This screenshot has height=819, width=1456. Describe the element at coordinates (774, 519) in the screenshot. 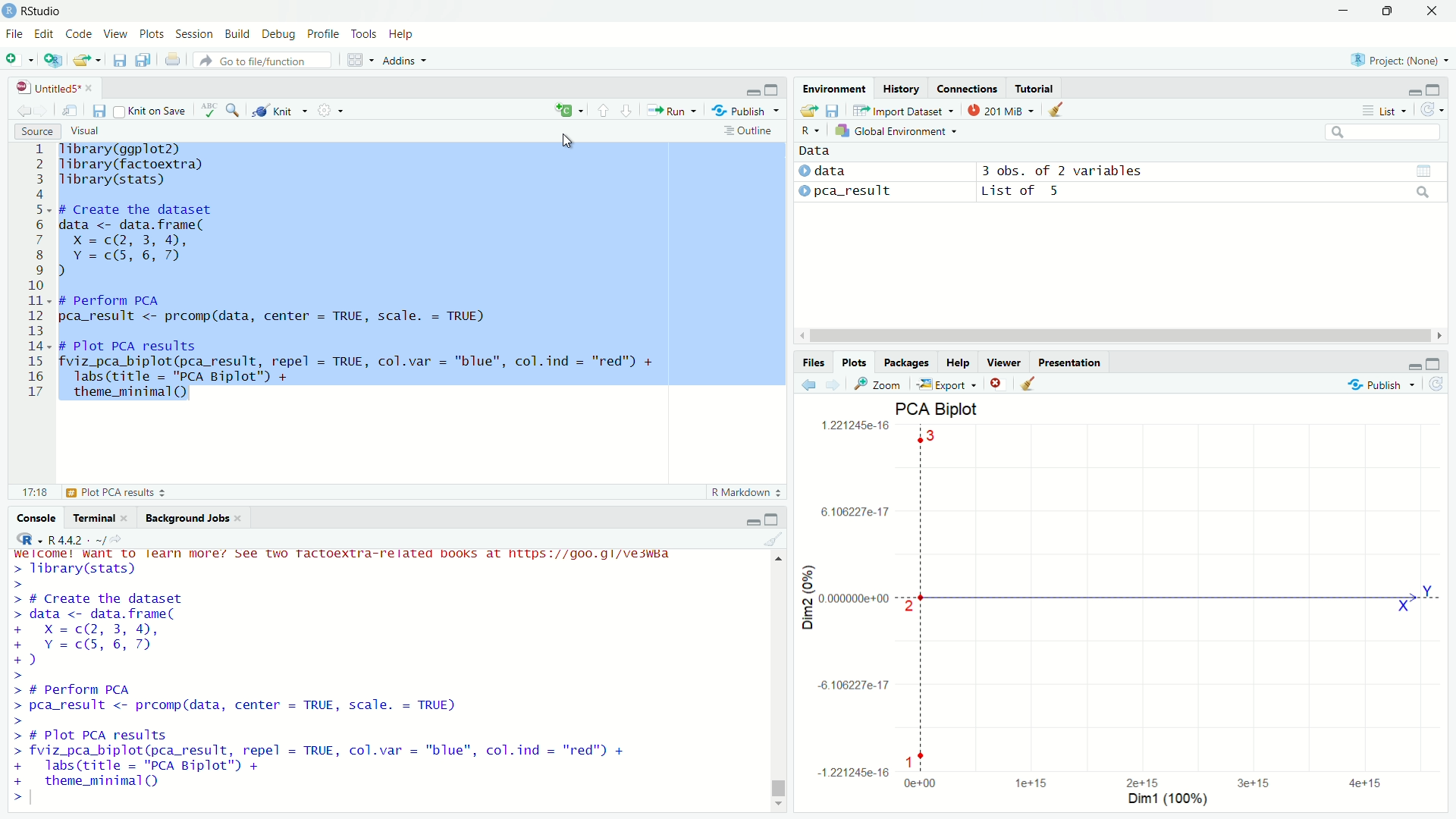

I see `maximize` at that location.